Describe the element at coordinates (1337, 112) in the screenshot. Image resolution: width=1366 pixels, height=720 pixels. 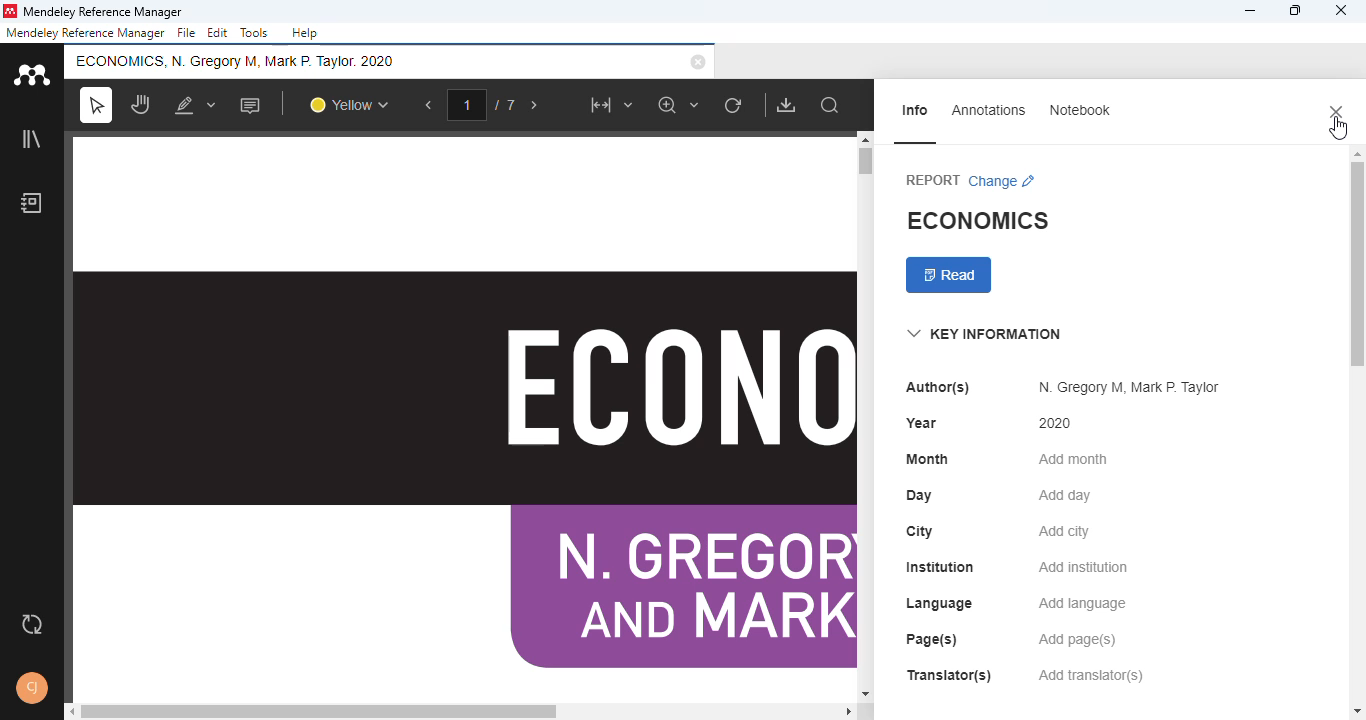
I see `close` at that location.